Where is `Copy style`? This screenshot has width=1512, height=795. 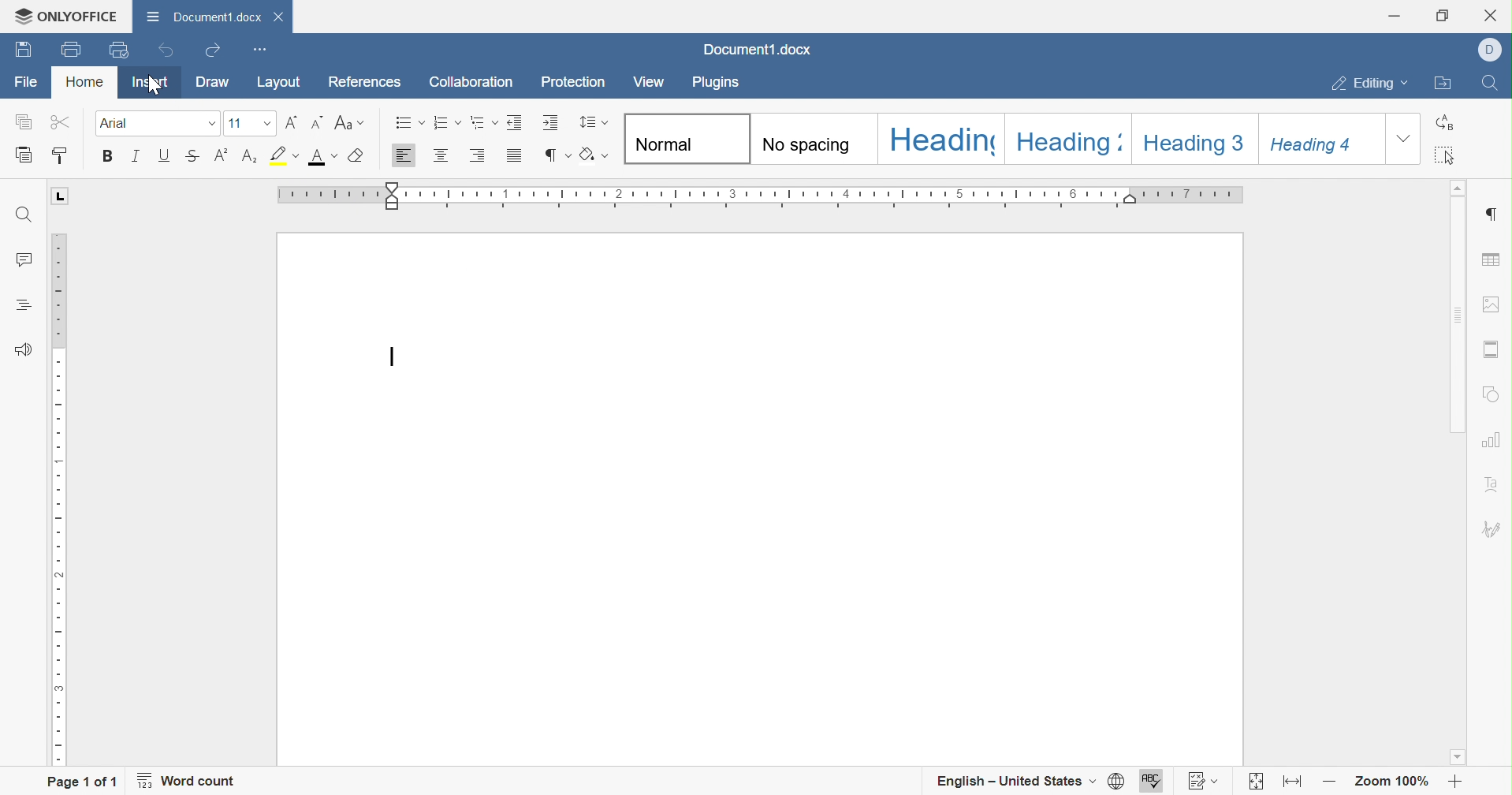 Copy style is located at coordinates (61, 157).